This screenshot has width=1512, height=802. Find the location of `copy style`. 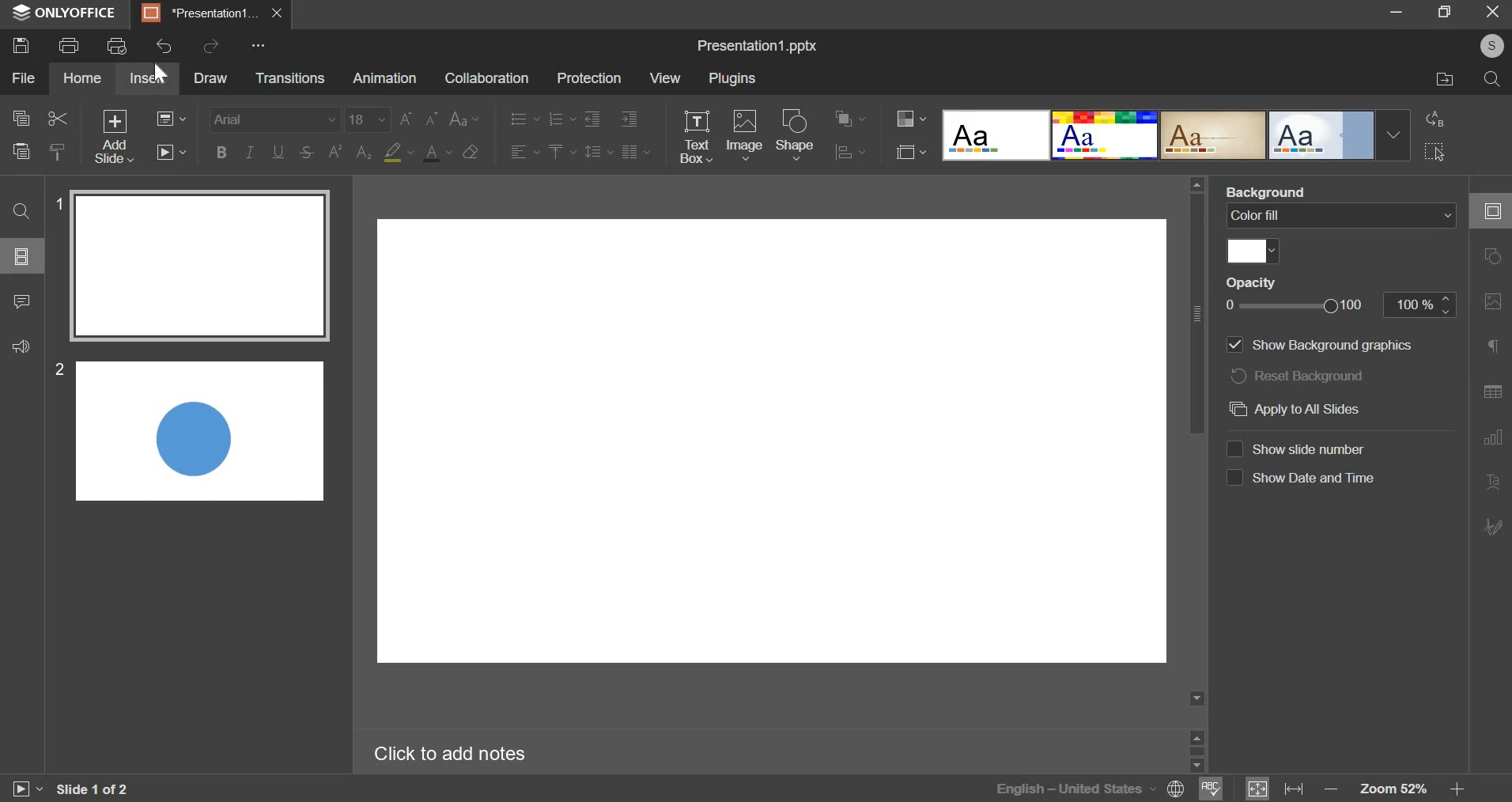

copy style is located at coordinates (58, 151).